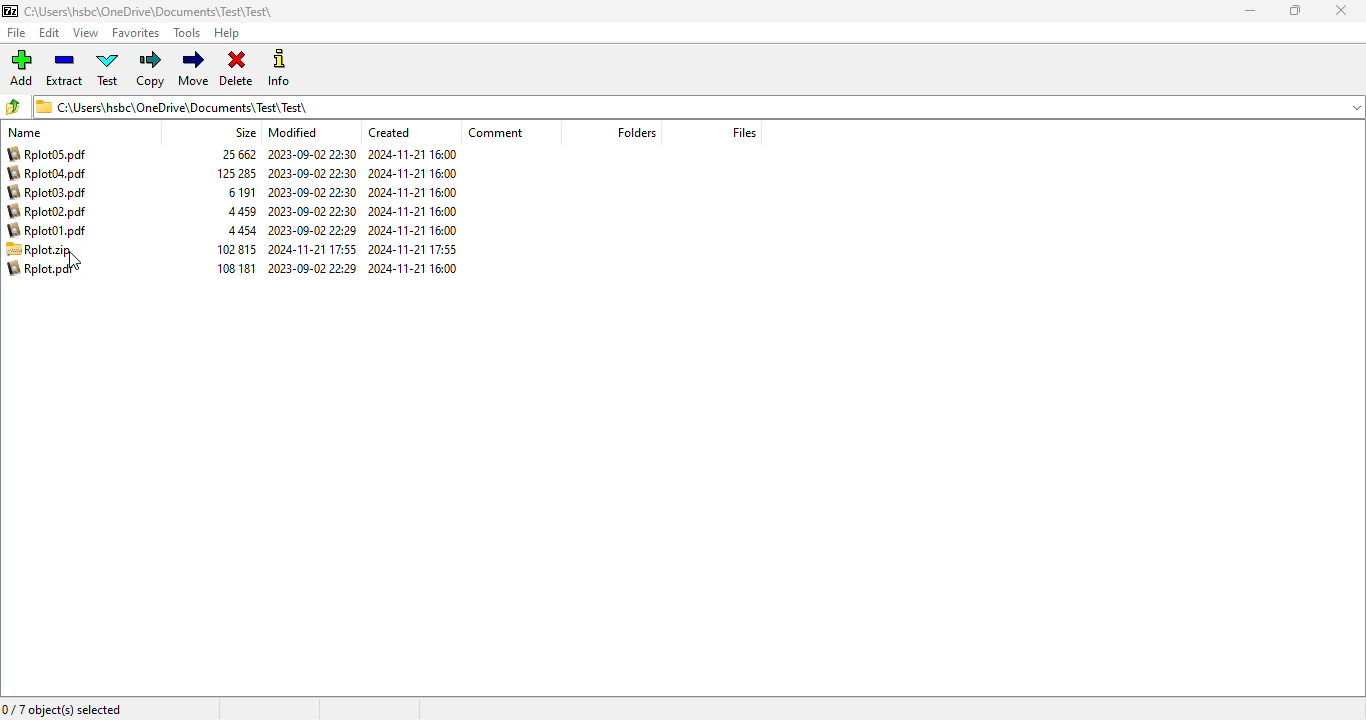 The width and height of the screenshot is (1366, 720). I want to click on Rplot.zip. 102815 2024-11-2117:55 2024-11-21 17:55, so click(236, 249).